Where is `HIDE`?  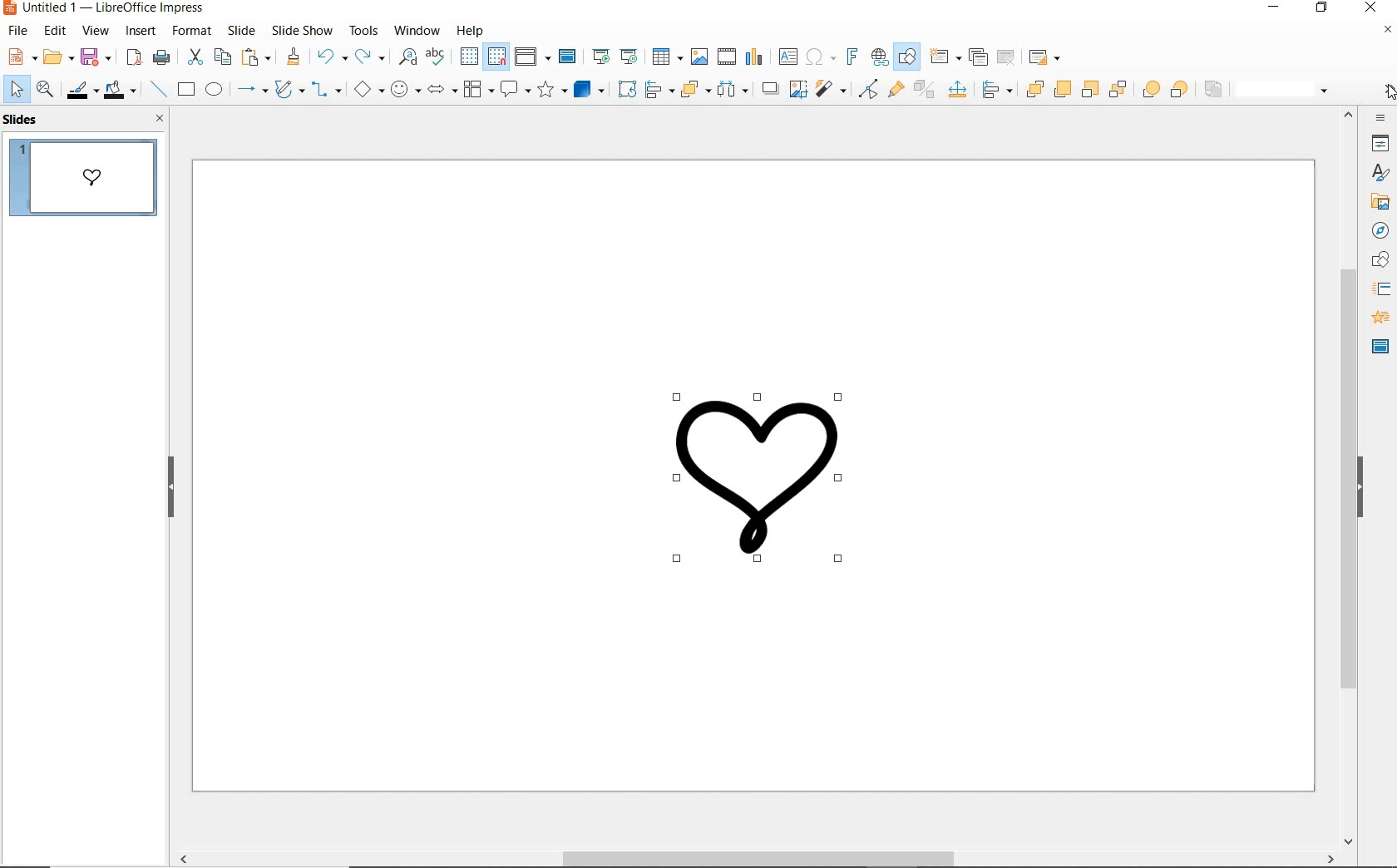
HIDE is located at coordinates (1361, 489).